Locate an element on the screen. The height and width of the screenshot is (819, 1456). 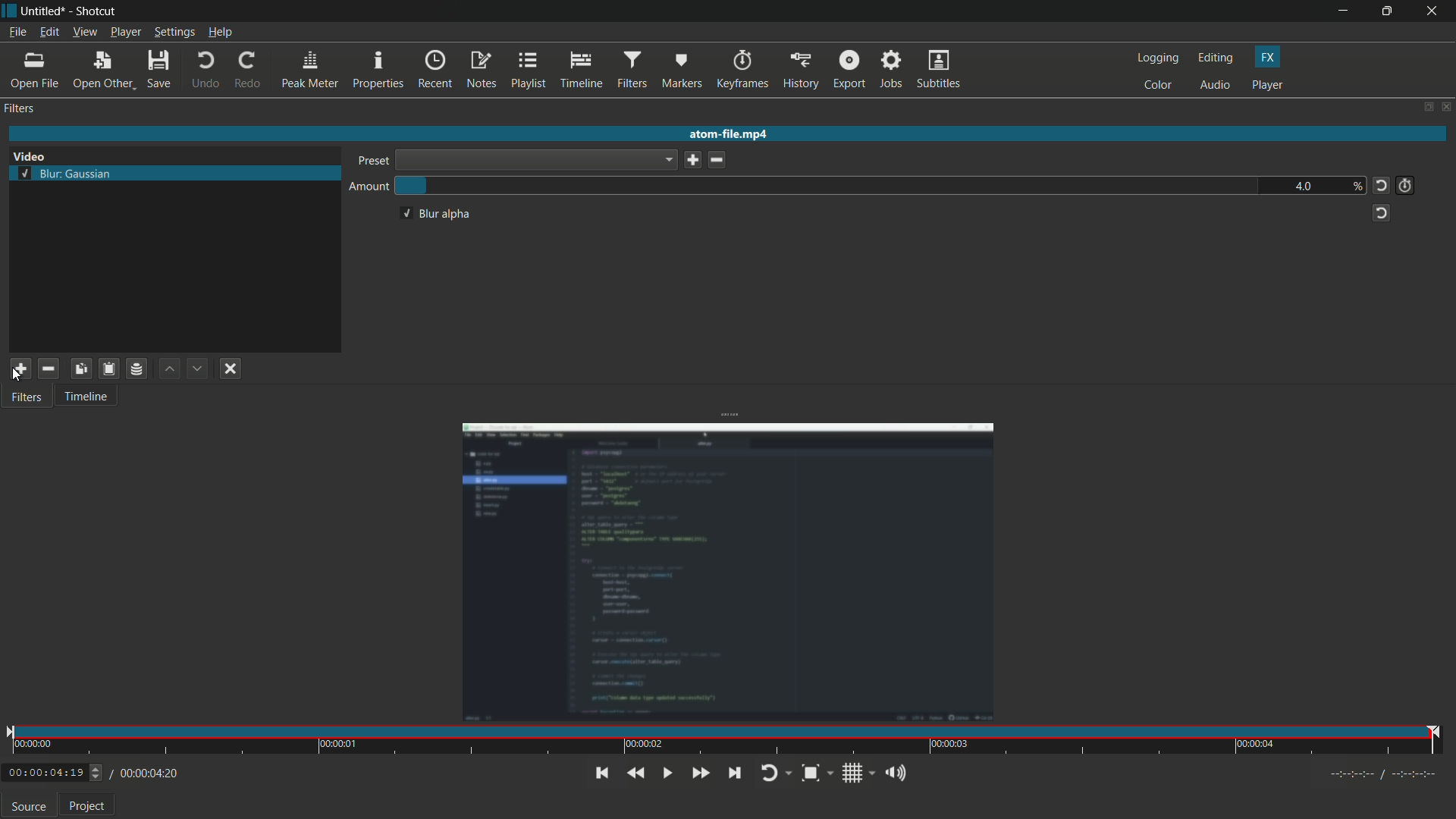
timeline is located at coordinates (579, 71).